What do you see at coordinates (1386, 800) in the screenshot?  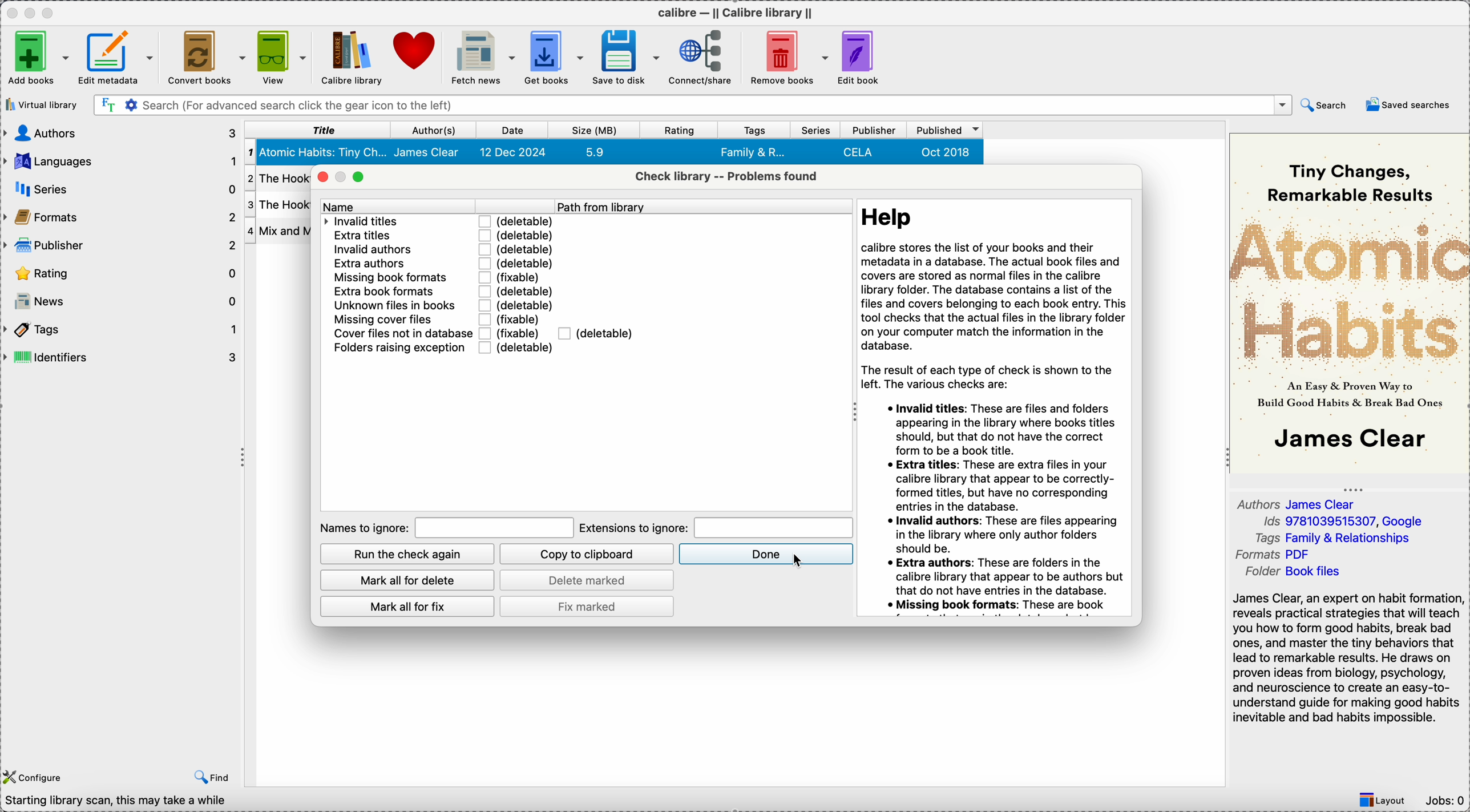 I see `layout` at bounding box center [1386, 800].